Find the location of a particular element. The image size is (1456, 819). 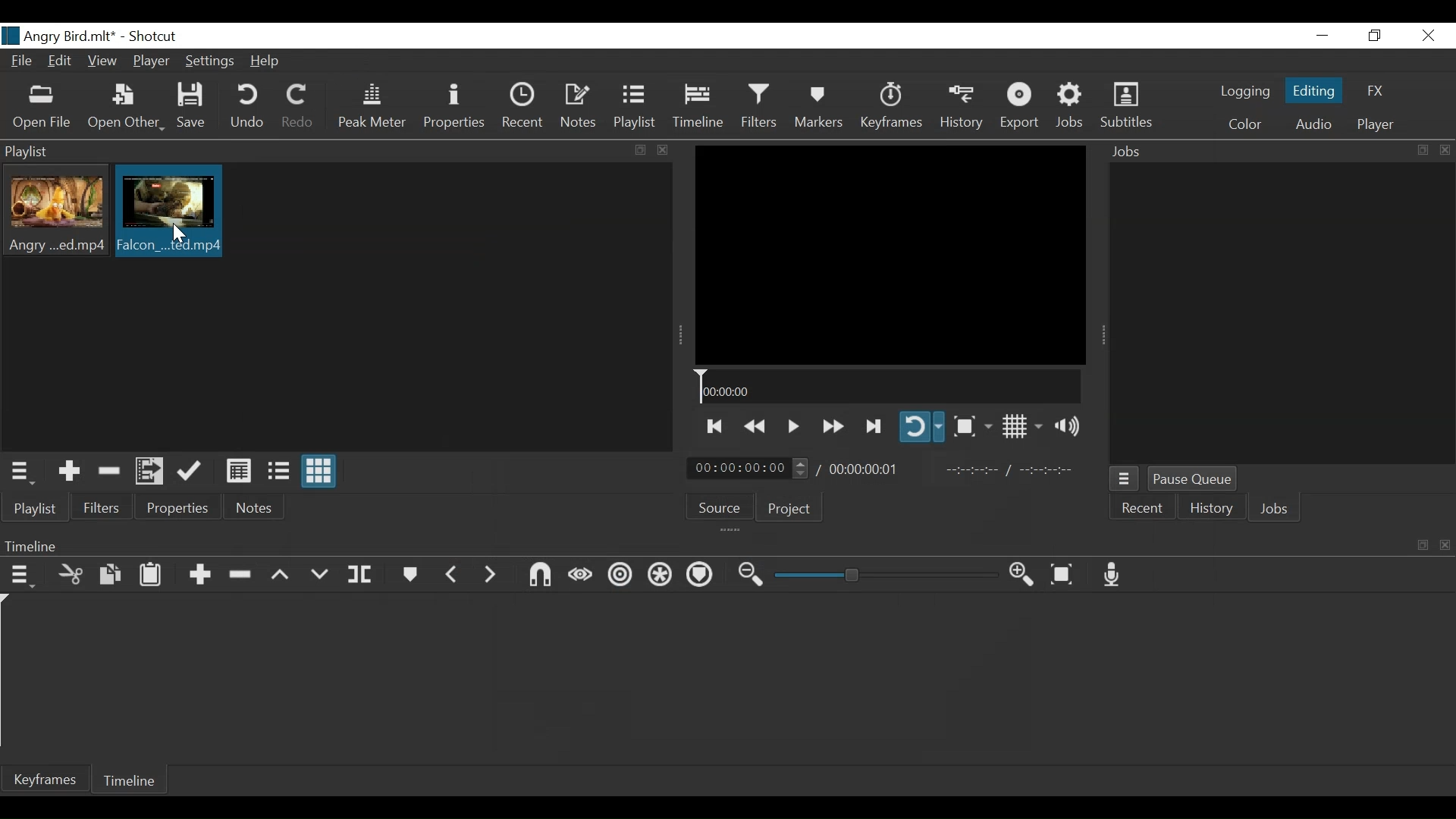

View as icons is located at coordinates (320, 471).